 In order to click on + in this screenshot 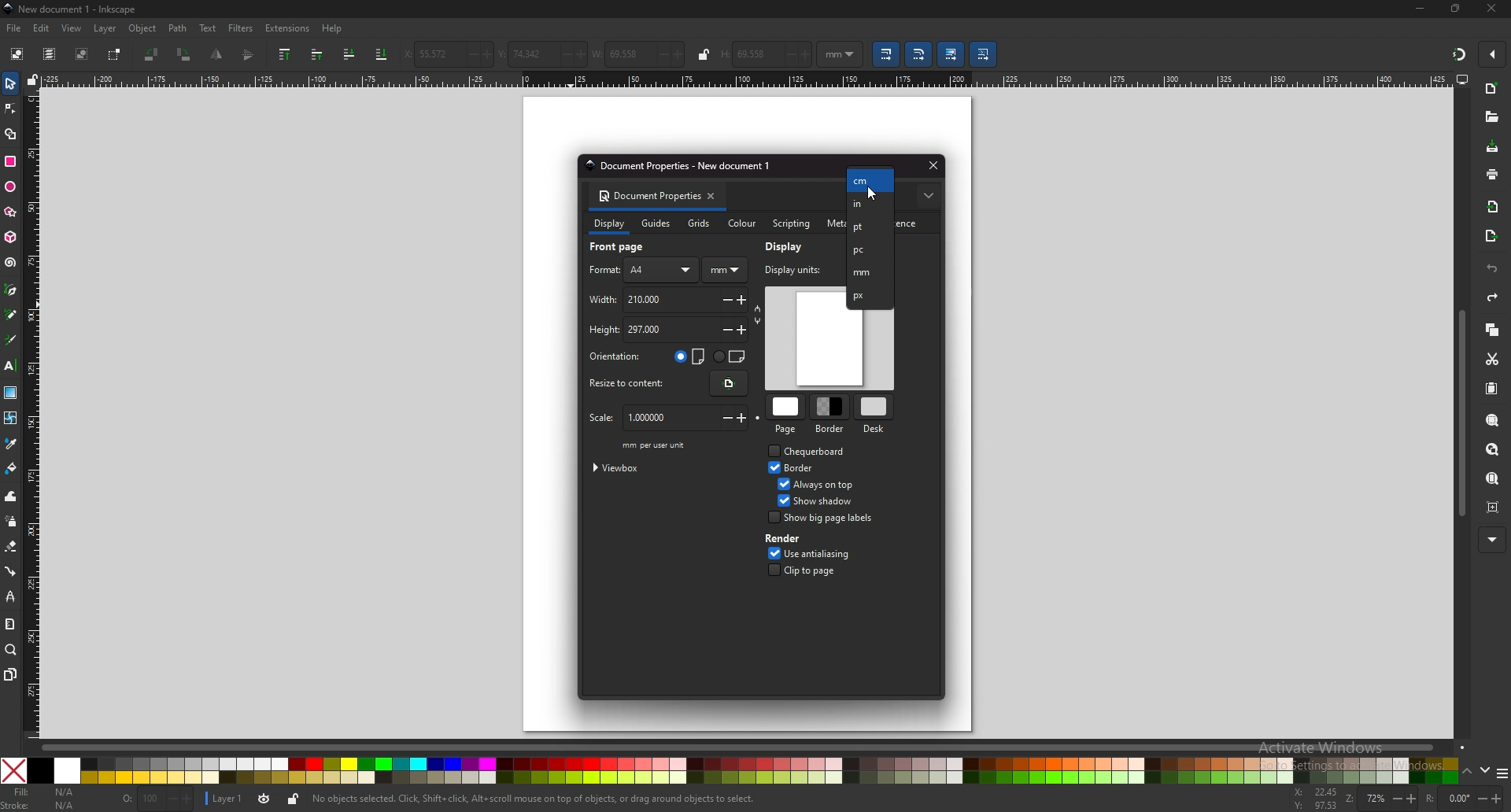, I will do `click(808, 55)`.